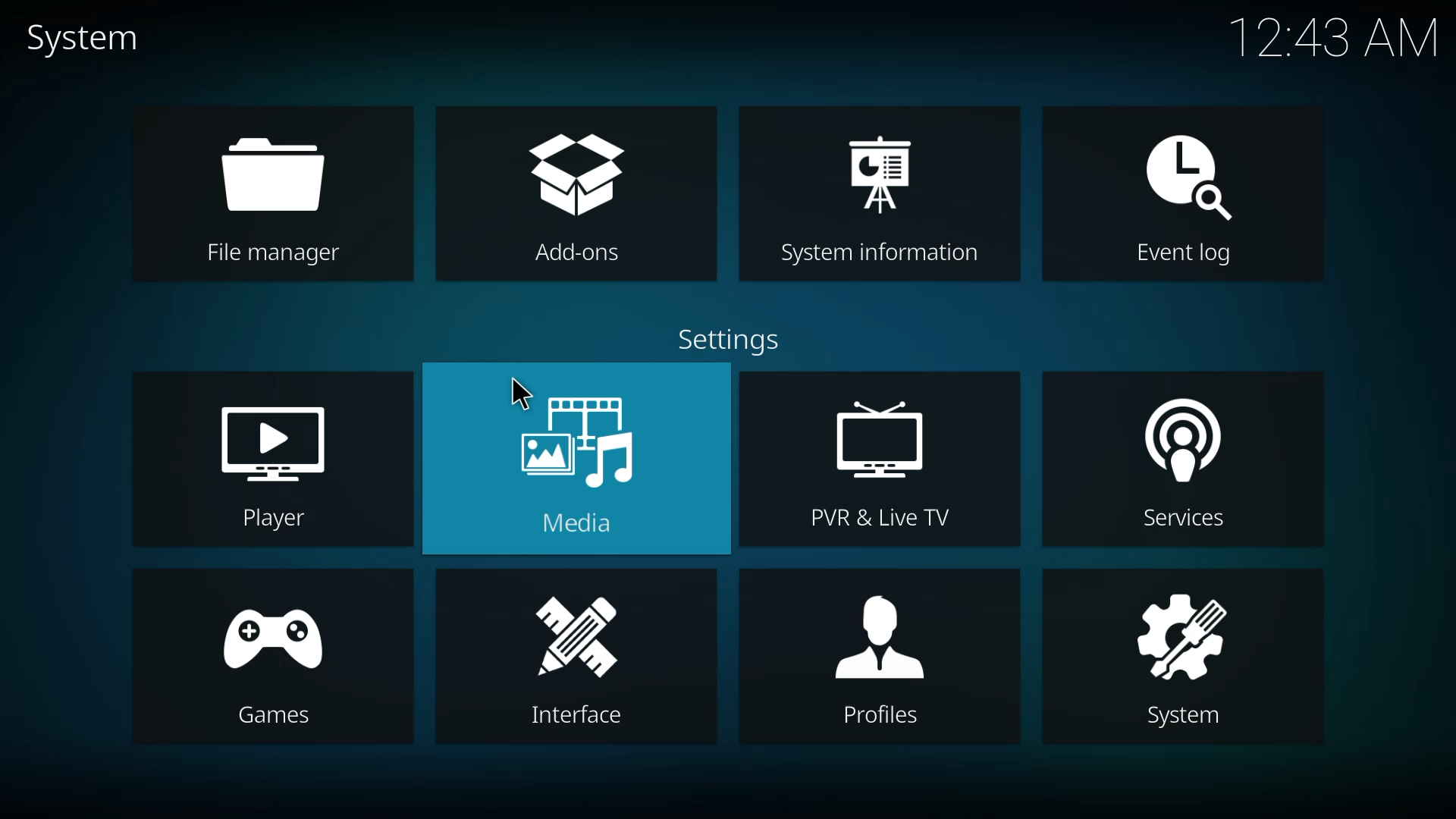 Image resolution: width=1456 pixels, height=819 pixels. I want to click on games, so click(264, 657).